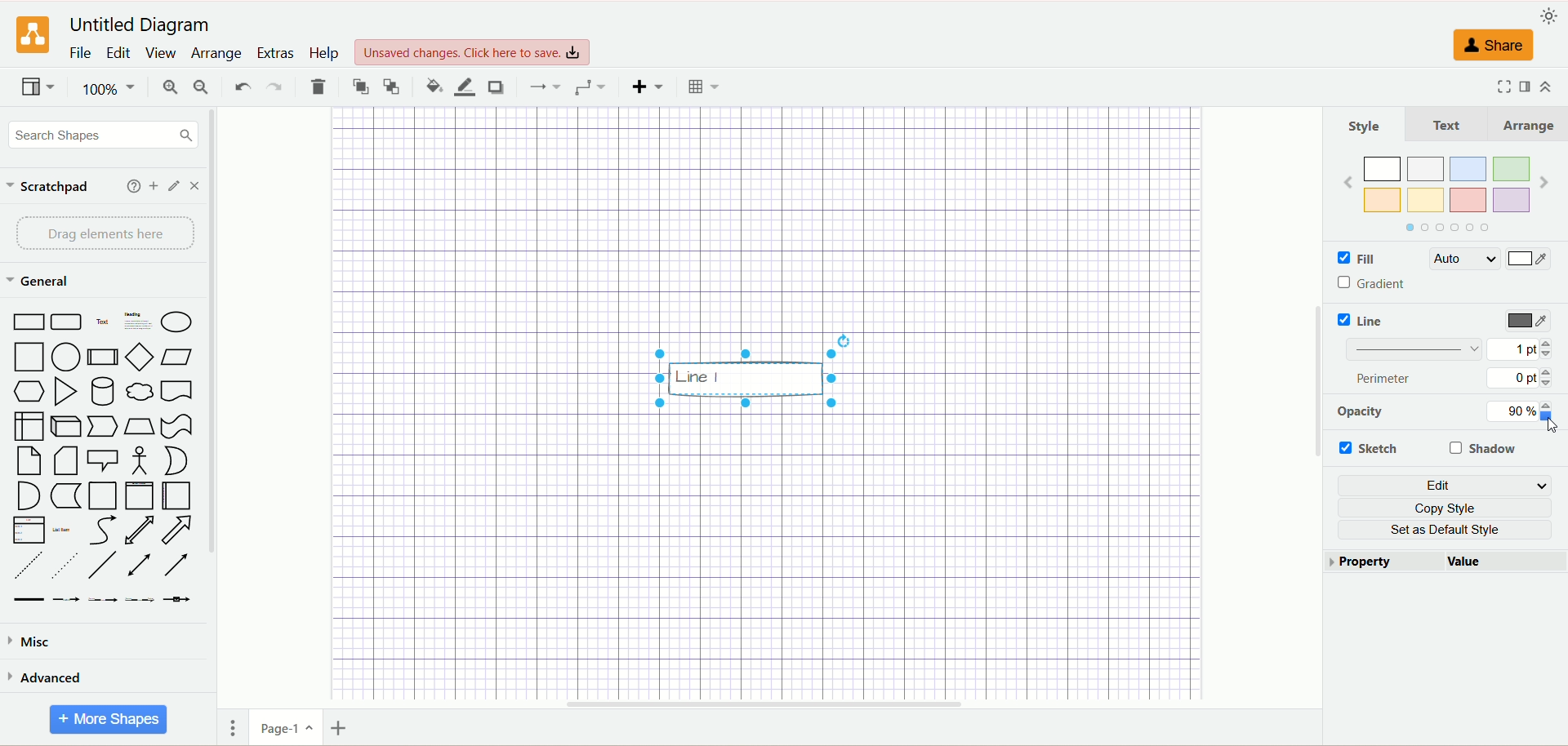 The width and height of the screenshot is (1568, 746). Describe the element at coordinates (175, 566) in the screenshot. I see `Directional Arrow` at that location.